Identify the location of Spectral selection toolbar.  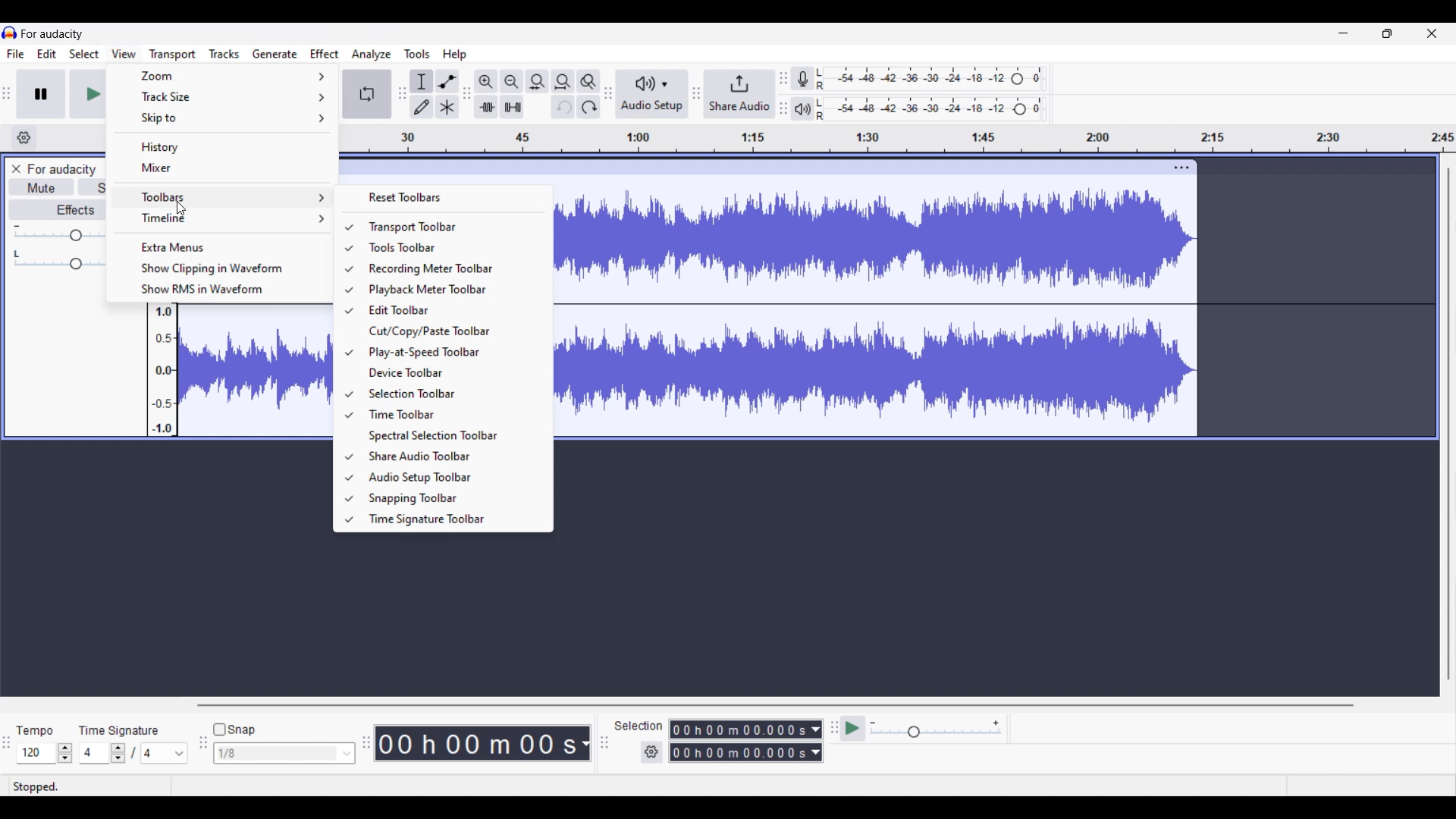
(453, 436).